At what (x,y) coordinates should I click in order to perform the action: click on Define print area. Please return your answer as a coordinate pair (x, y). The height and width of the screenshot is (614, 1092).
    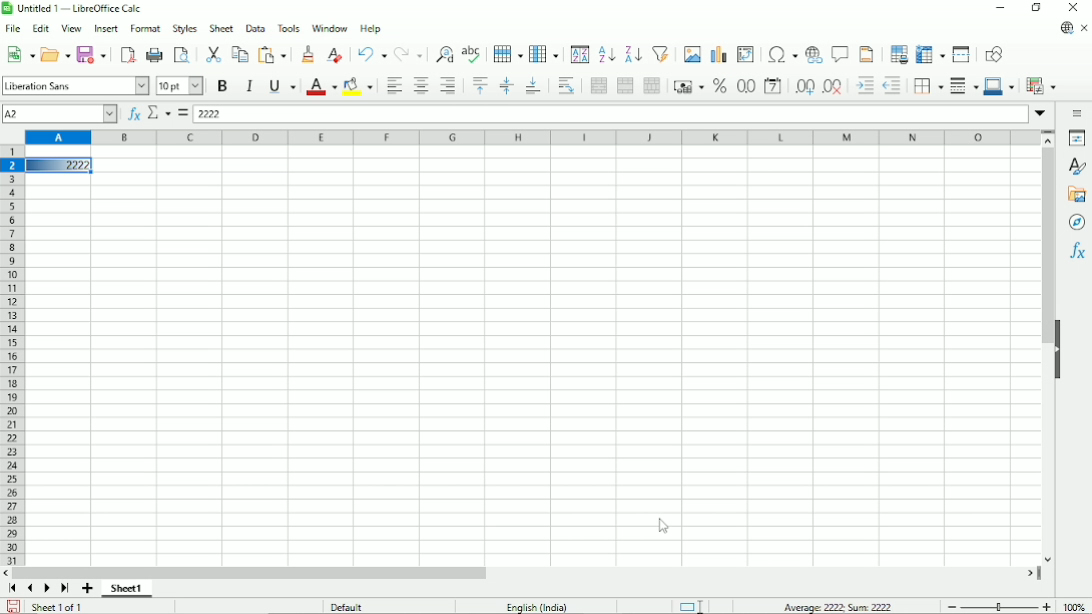
    Looking at the image, I should click on (898, 53).